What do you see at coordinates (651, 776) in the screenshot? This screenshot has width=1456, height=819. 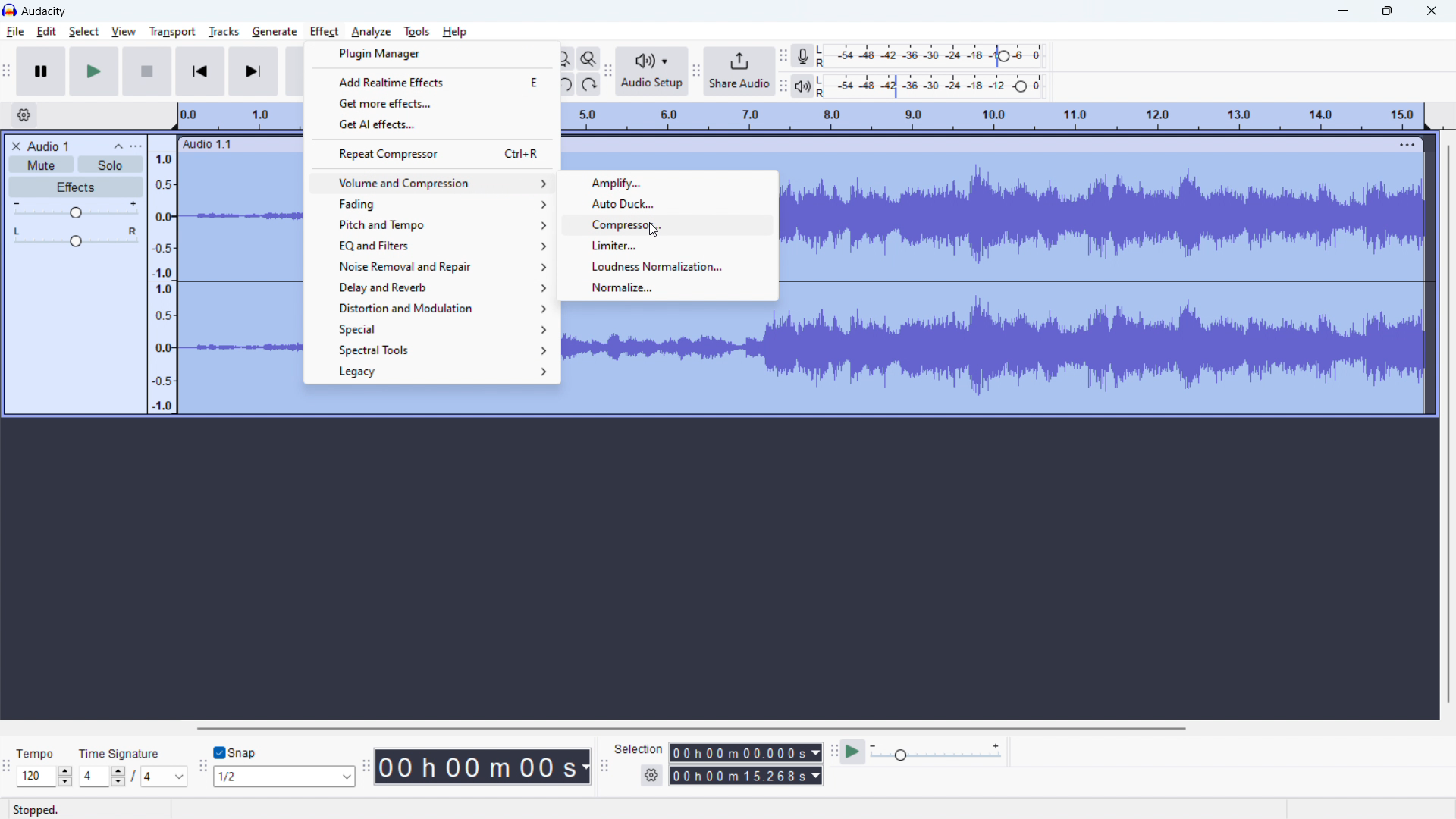 I see `settings` at bounding box center [651, 776].